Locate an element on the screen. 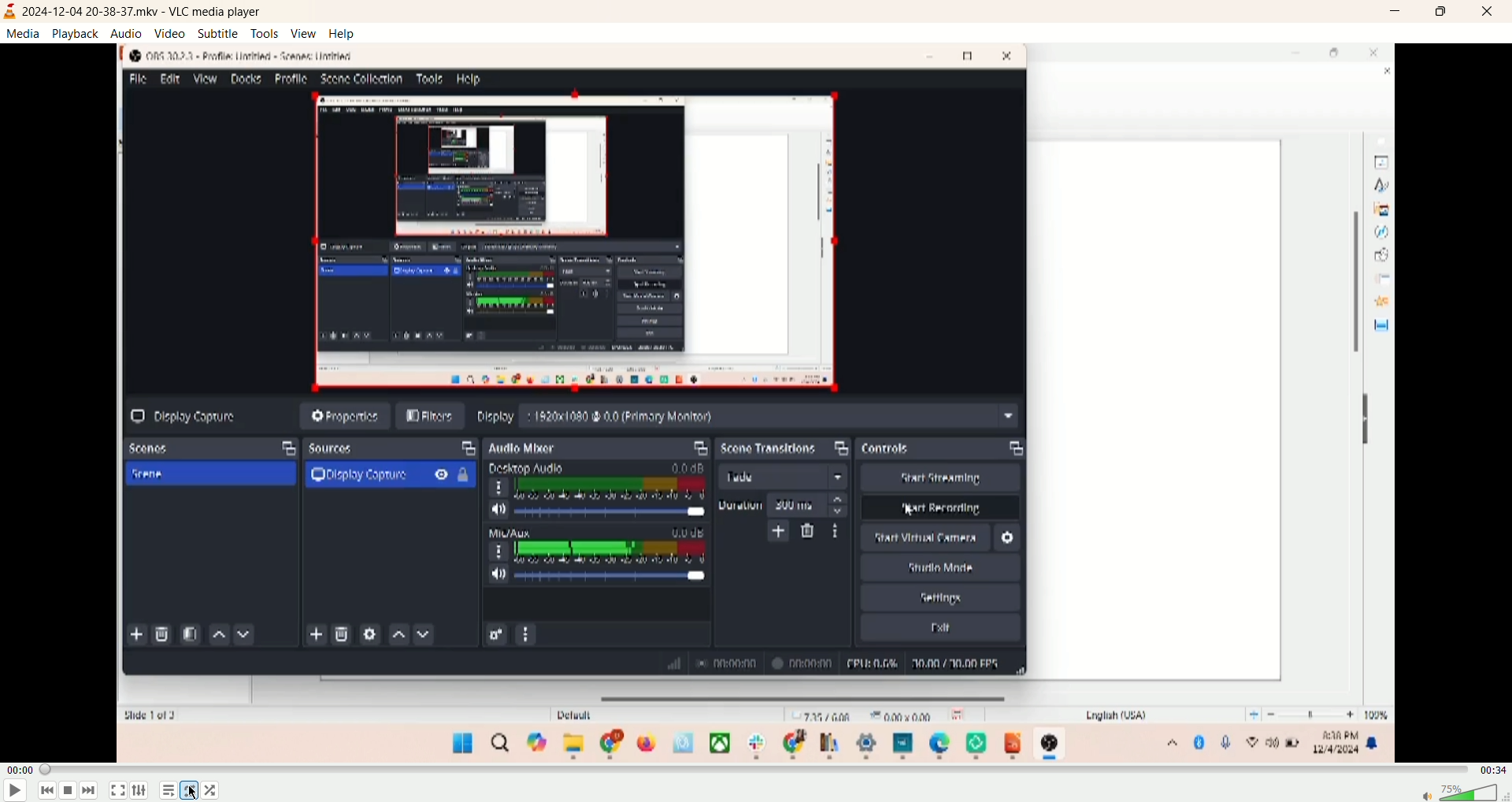 This screenshot has height=802, width=1512. fullscreen is located at coordinates (119, 791).